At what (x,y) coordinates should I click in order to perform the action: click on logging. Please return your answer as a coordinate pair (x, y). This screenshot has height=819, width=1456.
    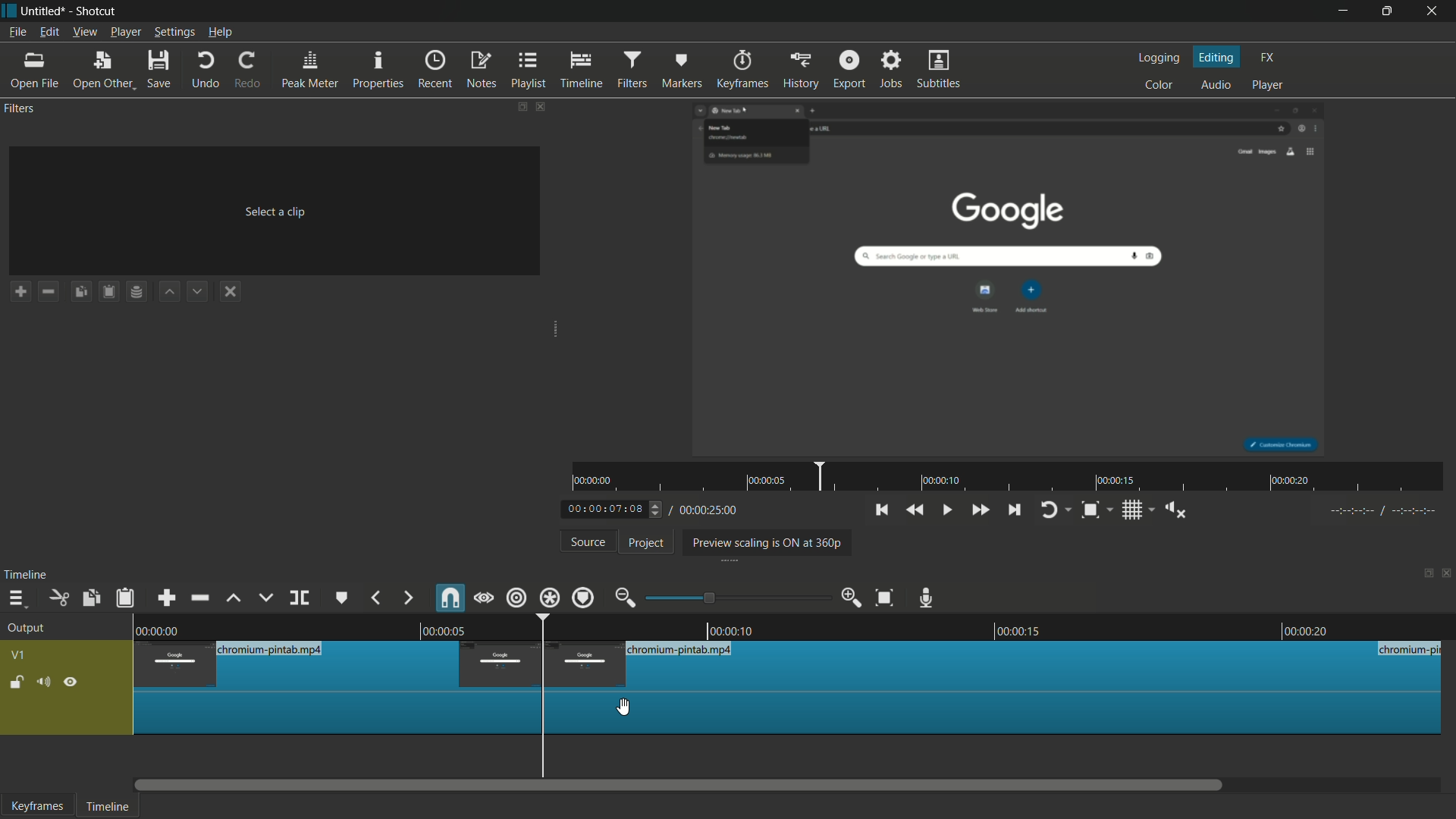
    Looking at the image, I should click on (1157, 59).